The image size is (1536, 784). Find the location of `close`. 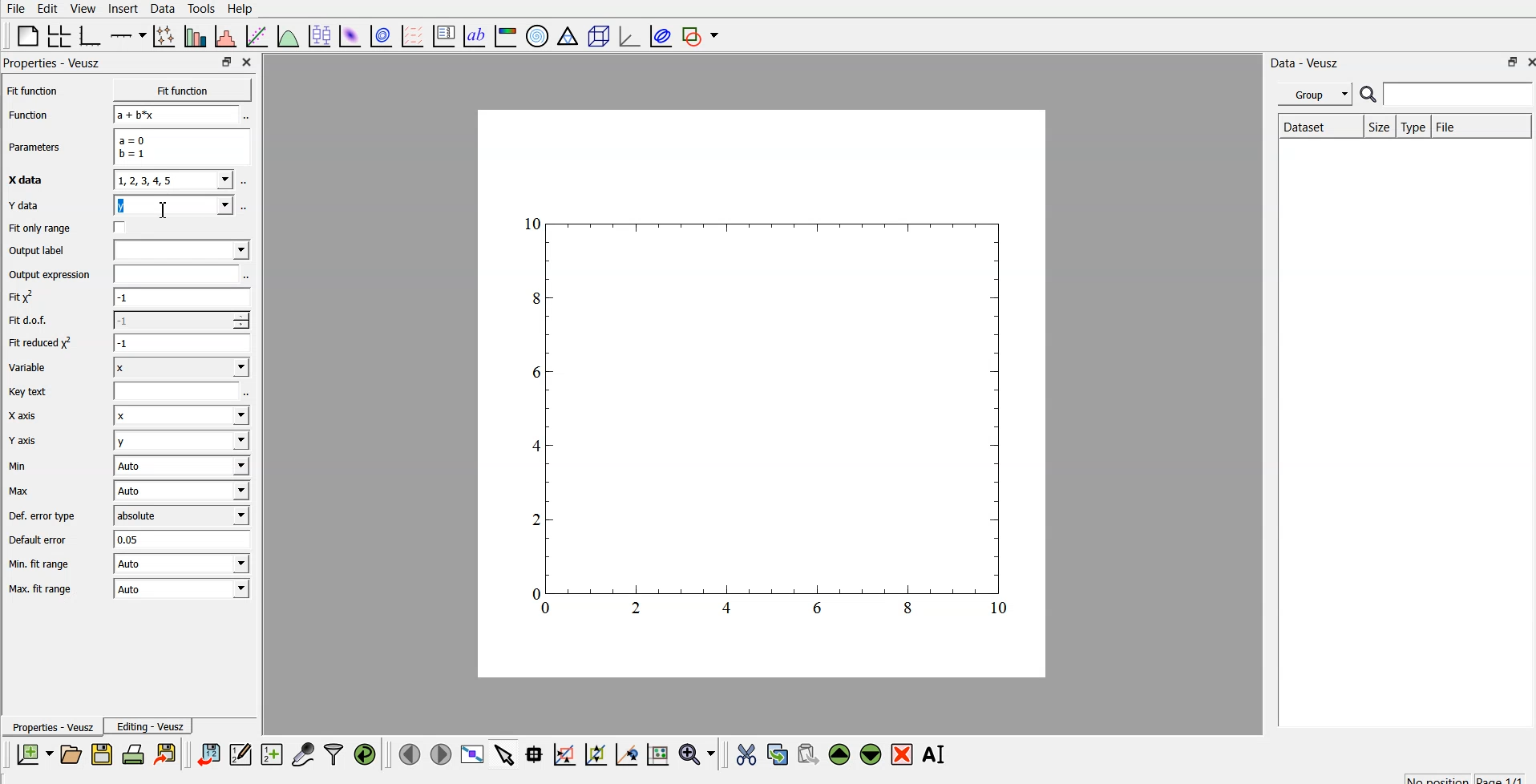

close is located at coordinates (249, 63).